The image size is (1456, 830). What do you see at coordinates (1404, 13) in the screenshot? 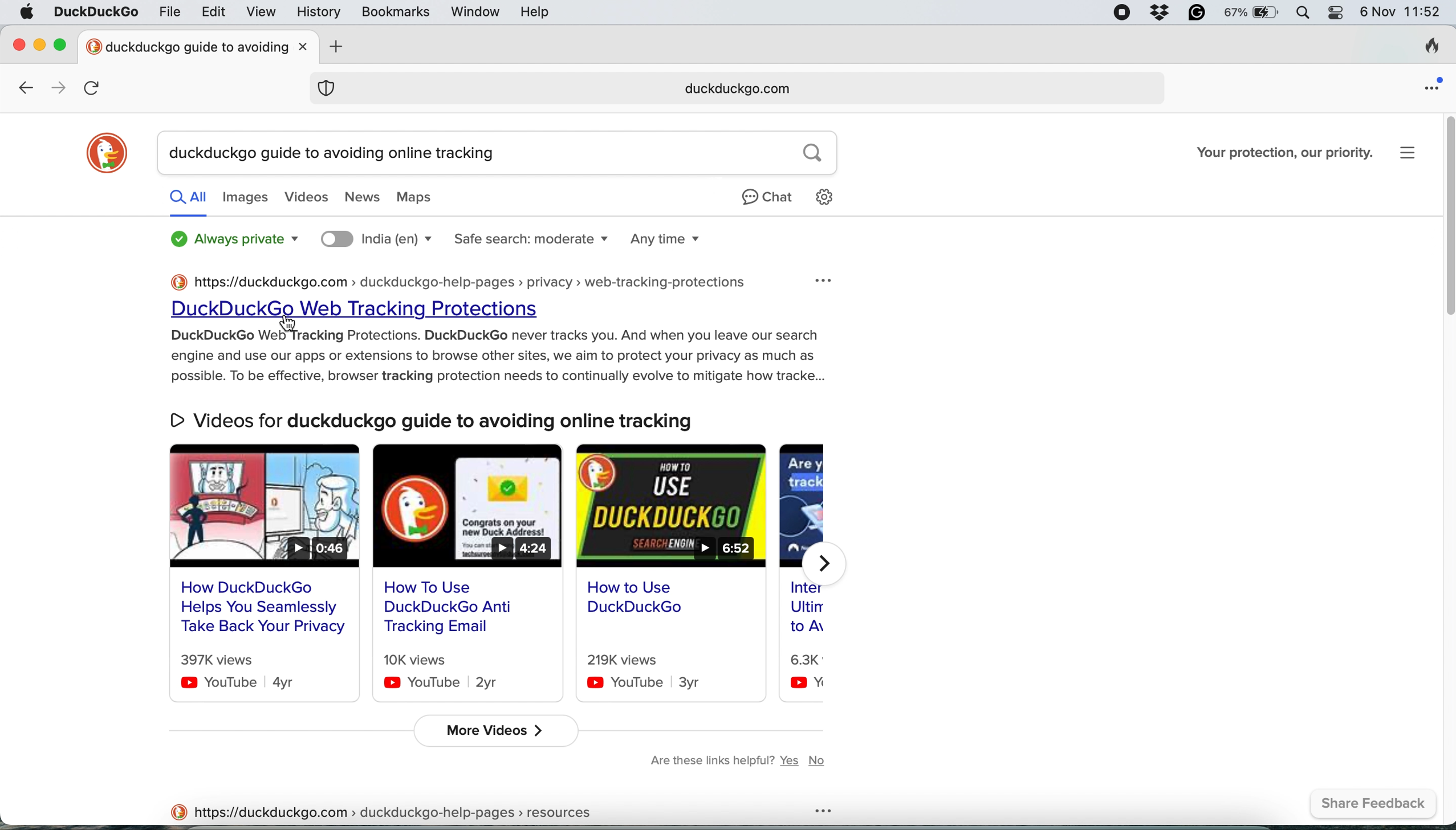
I see `6 Nov 11:52` at bounding box center [1404, 13].